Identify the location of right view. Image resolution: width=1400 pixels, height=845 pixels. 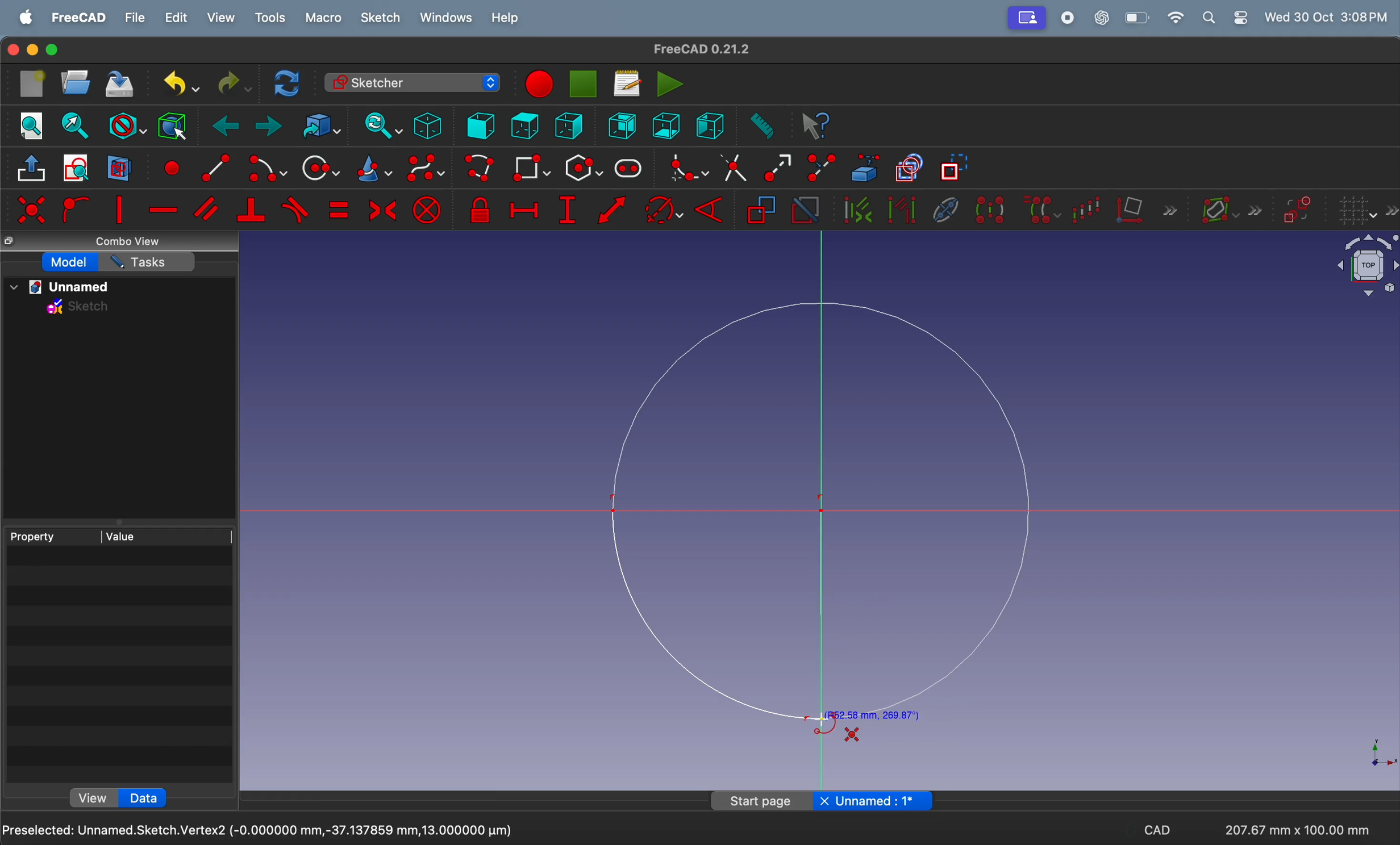
(710, 124).